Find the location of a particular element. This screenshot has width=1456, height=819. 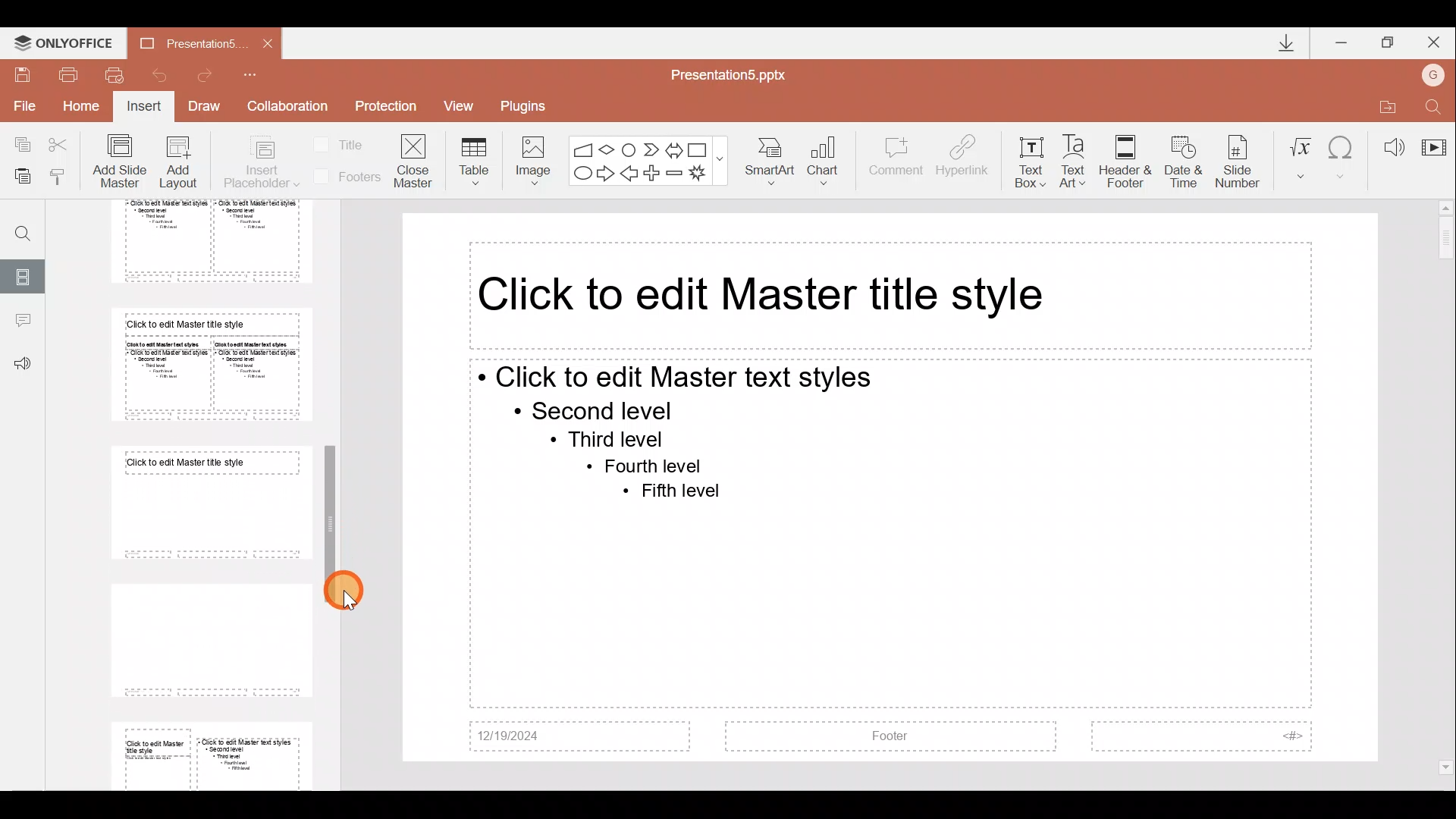

Account name is located at coordinates (1436, 73).